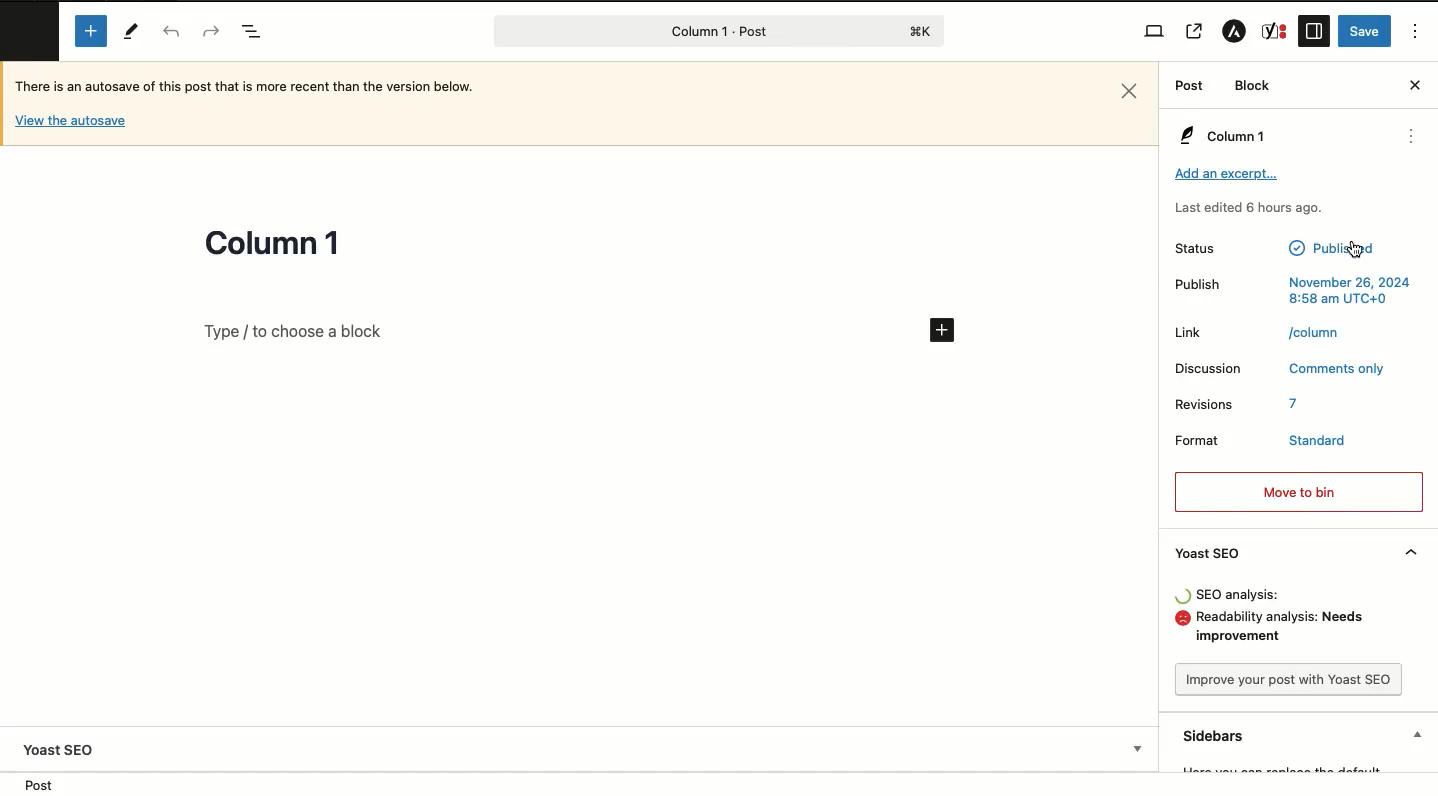  What do you see at coordinates (944, 330) in the screenshot?
I see `Add block` at bounding box center [944, 330].